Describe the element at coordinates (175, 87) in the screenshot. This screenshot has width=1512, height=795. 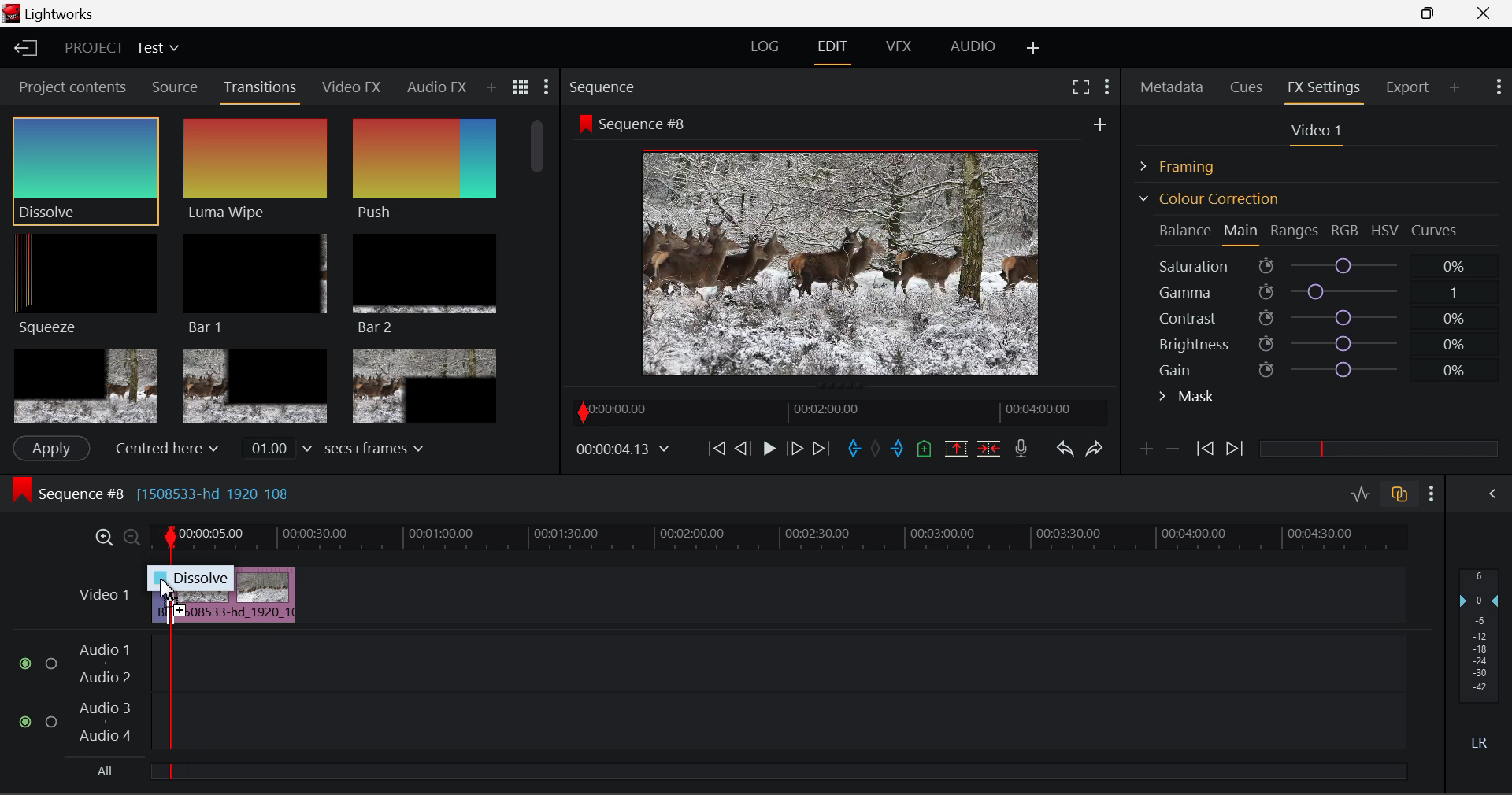
I see `Source` at that location.